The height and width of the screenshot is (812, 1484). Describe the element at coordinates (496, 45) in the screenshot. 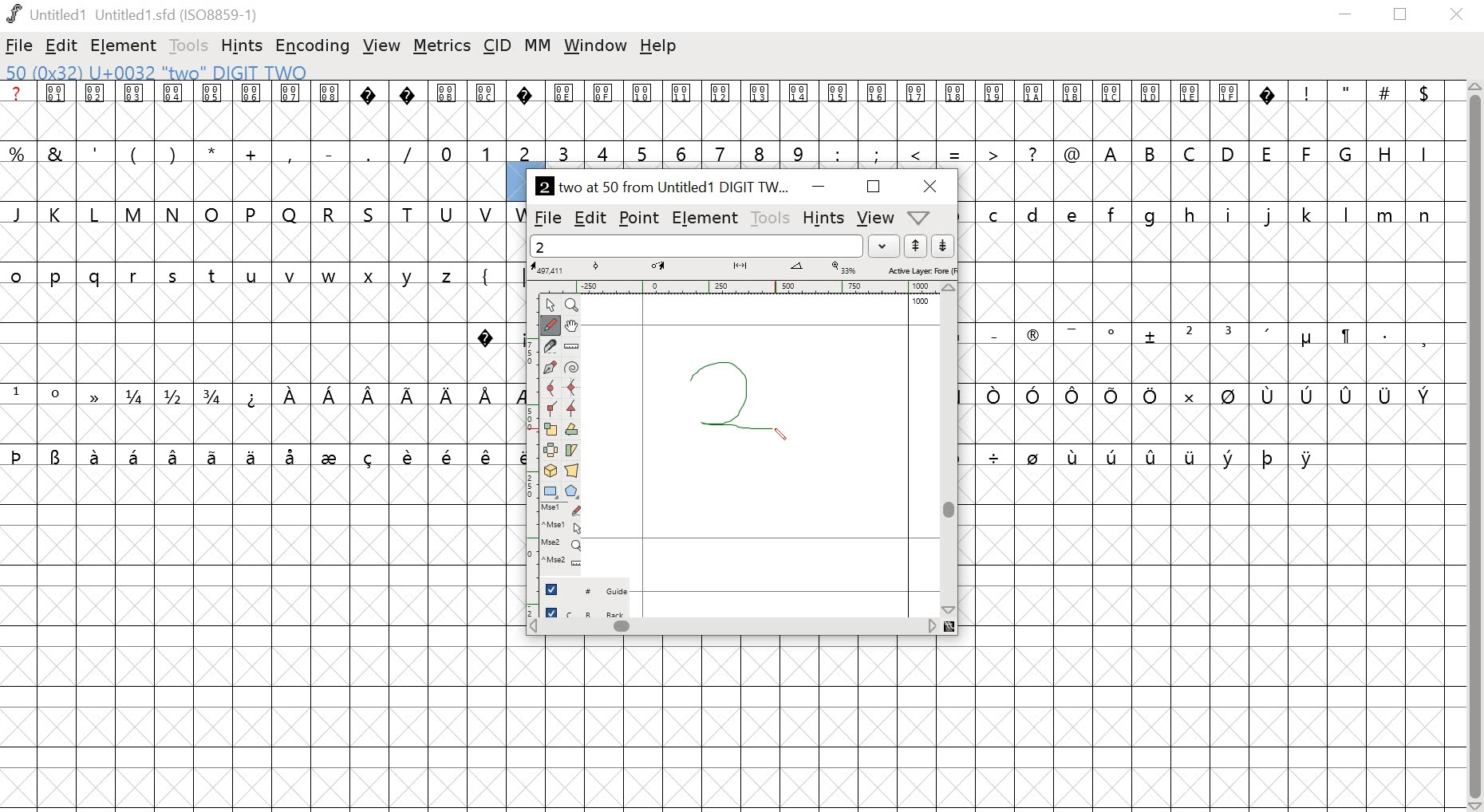

I see `cid` at that location.